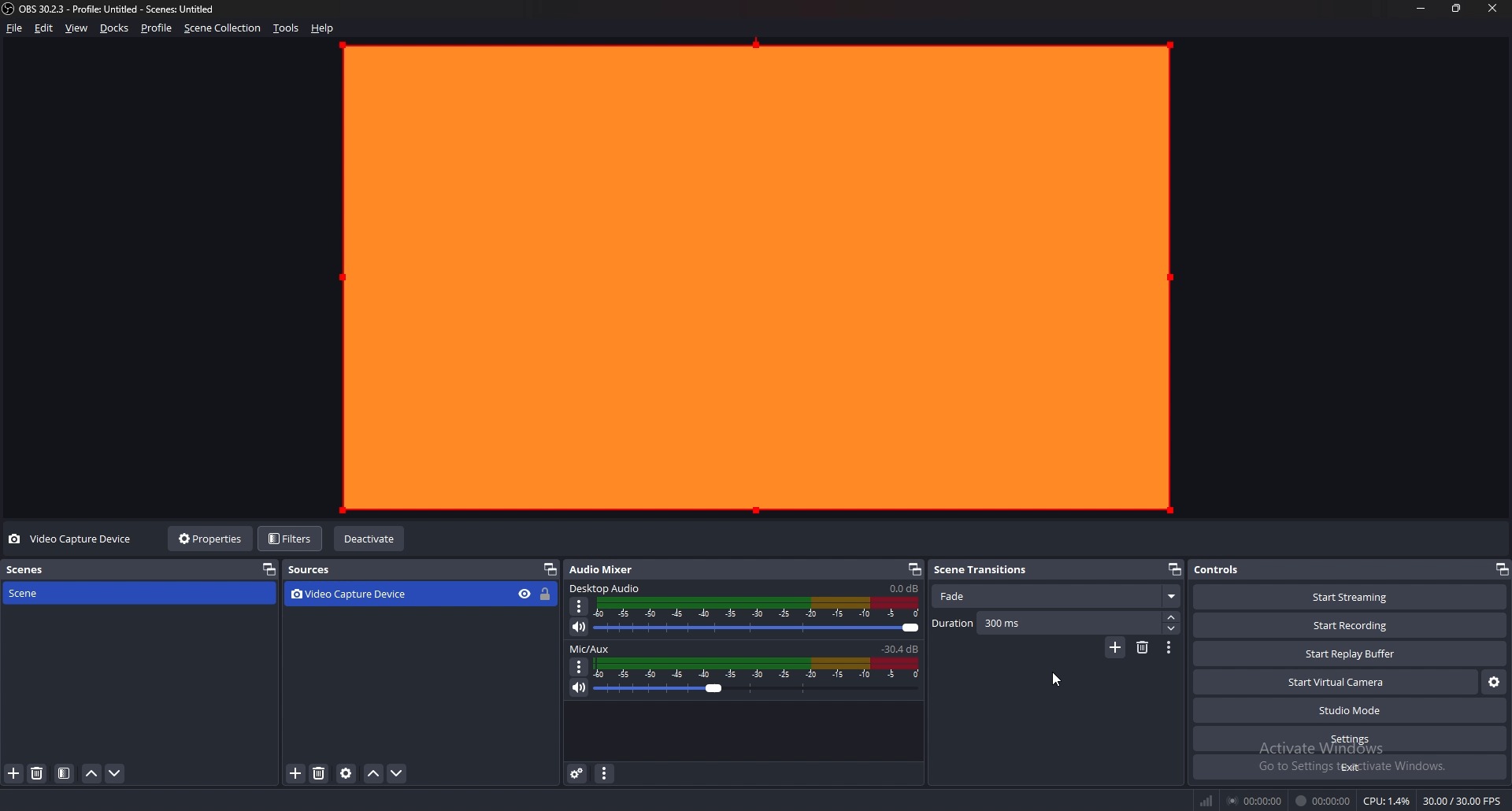  What do you see at coordinates (1173, 628) in the screenshot?
I see `decrease duration` at bounding box center [1173, 628].